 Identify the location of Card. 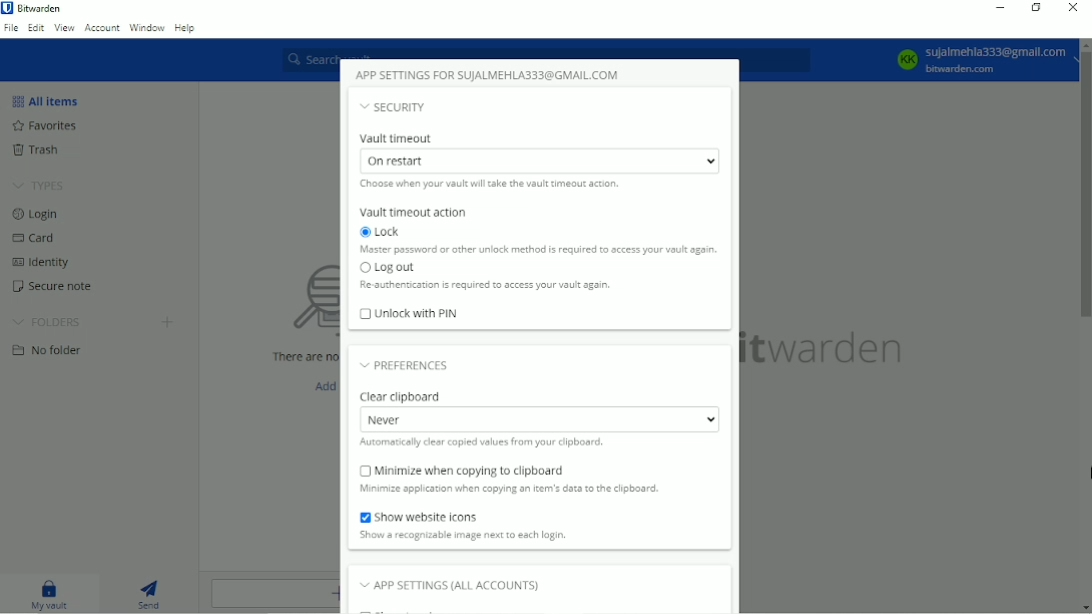
(35, 238).